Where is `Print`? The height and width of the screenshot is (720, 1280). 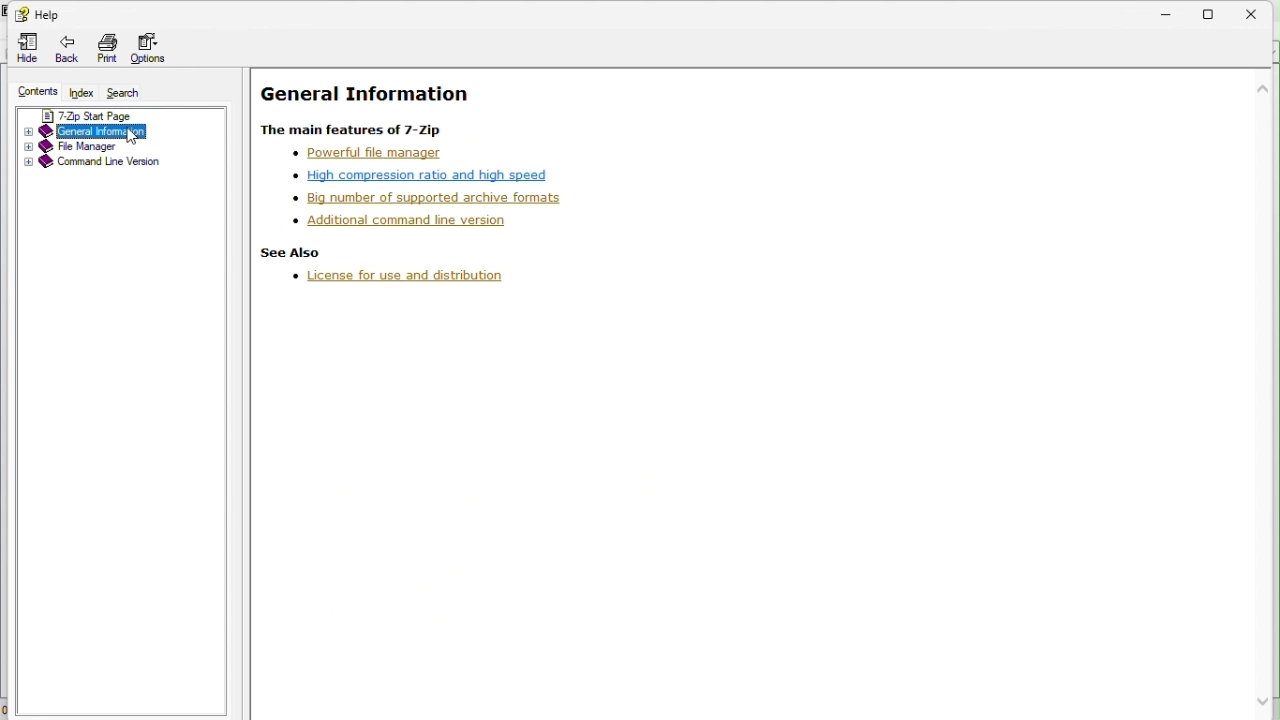 Print is located at coordinates (105, 48).